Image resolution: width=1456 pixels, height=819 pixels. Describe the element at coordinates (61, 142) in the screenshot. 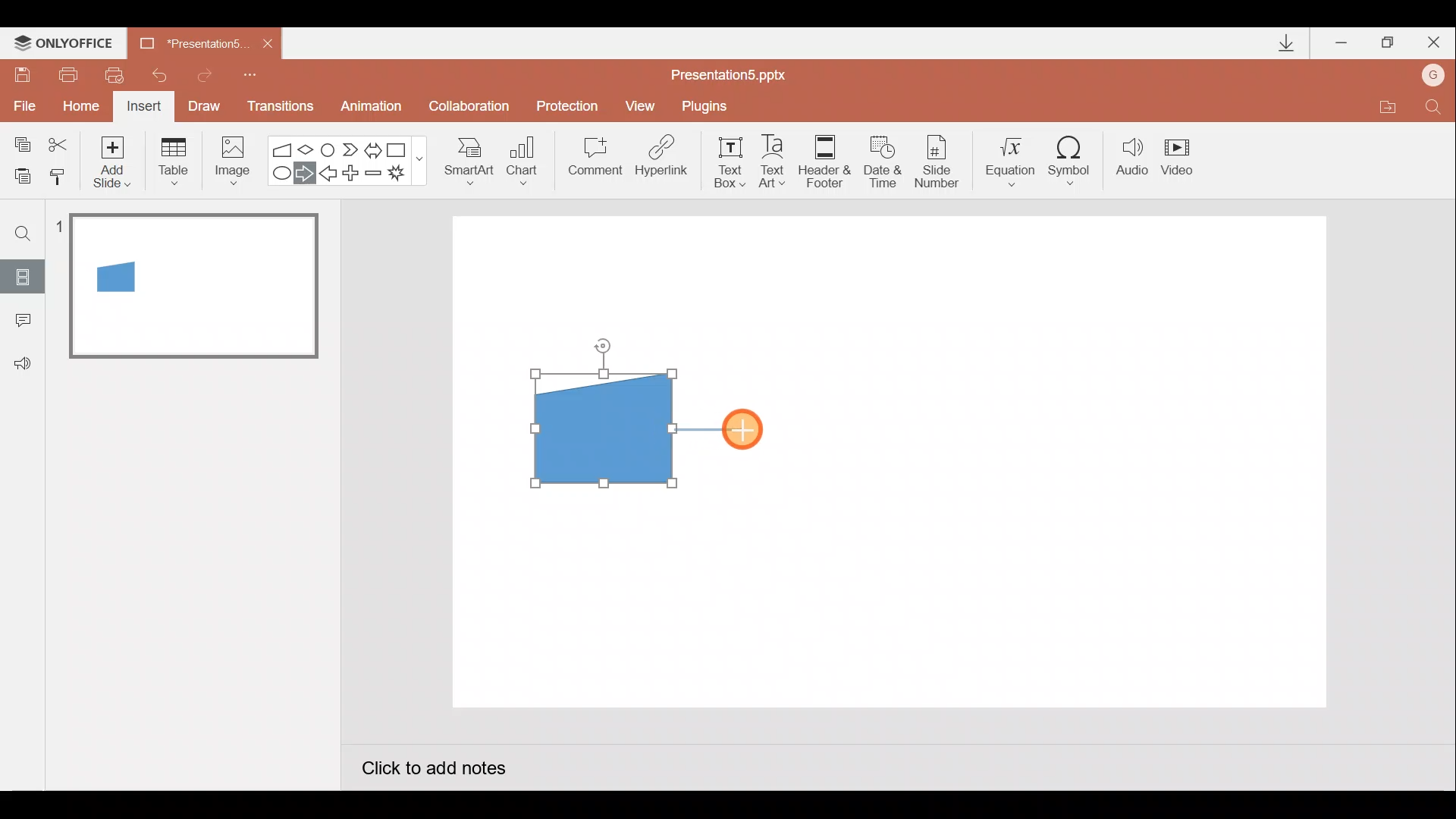

I see `Cut` at that location.